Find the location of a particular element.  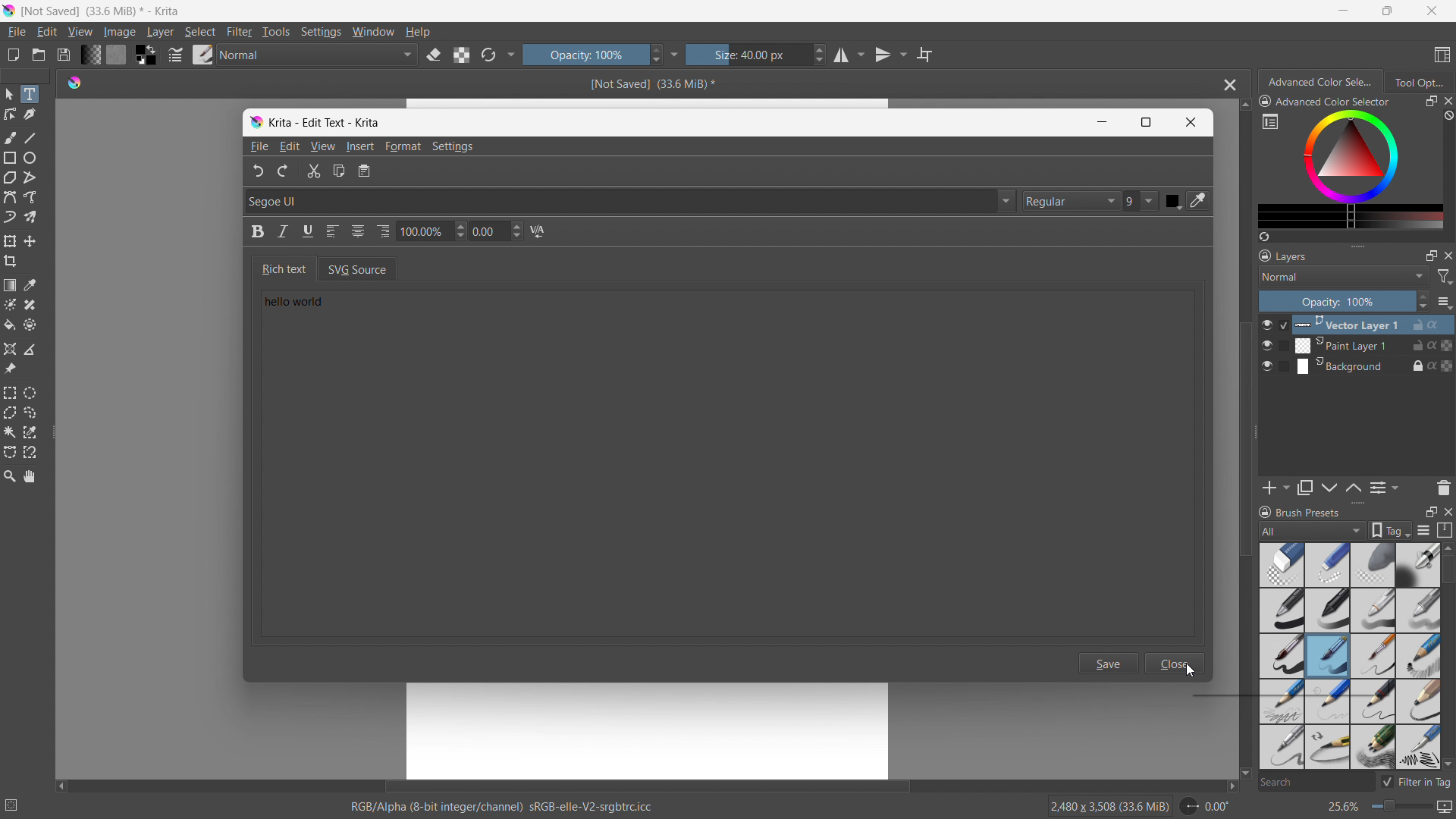

settings is located at coordinates (321, 33).